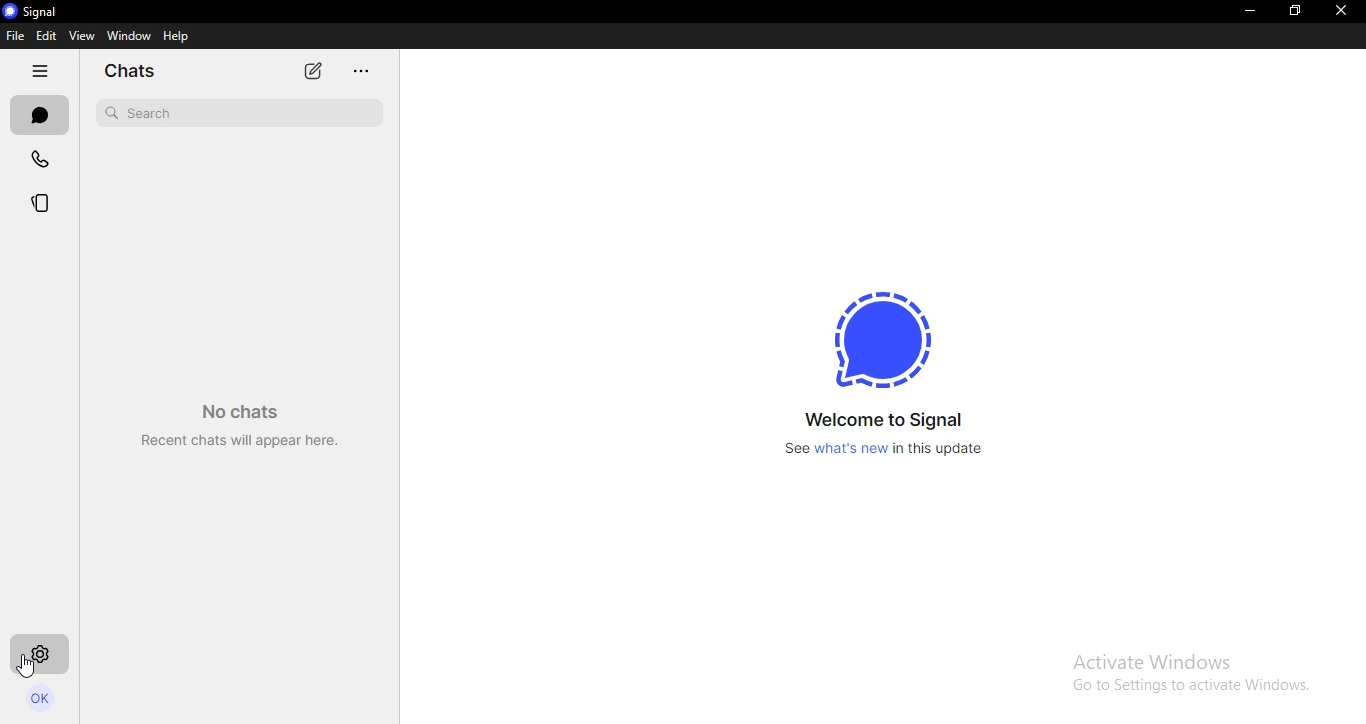  What do you see at coordinates (137, 72) in the screenshot?
I see `chats` at bounding box center [137, 72].